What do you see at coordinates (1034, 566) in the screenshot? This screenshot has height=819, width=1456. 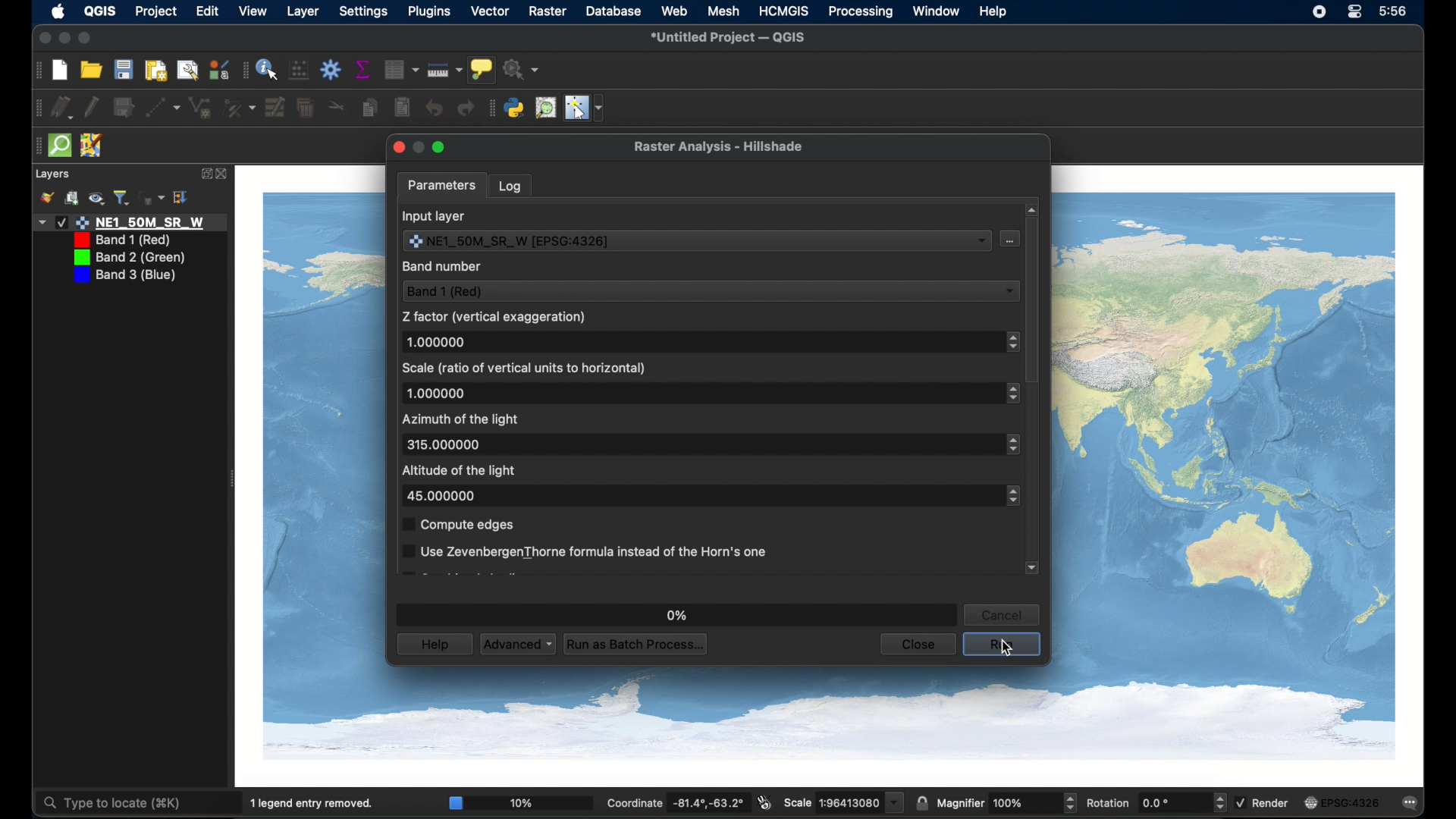 I see `scroll down arrow` at bounding box center [1034, 566].